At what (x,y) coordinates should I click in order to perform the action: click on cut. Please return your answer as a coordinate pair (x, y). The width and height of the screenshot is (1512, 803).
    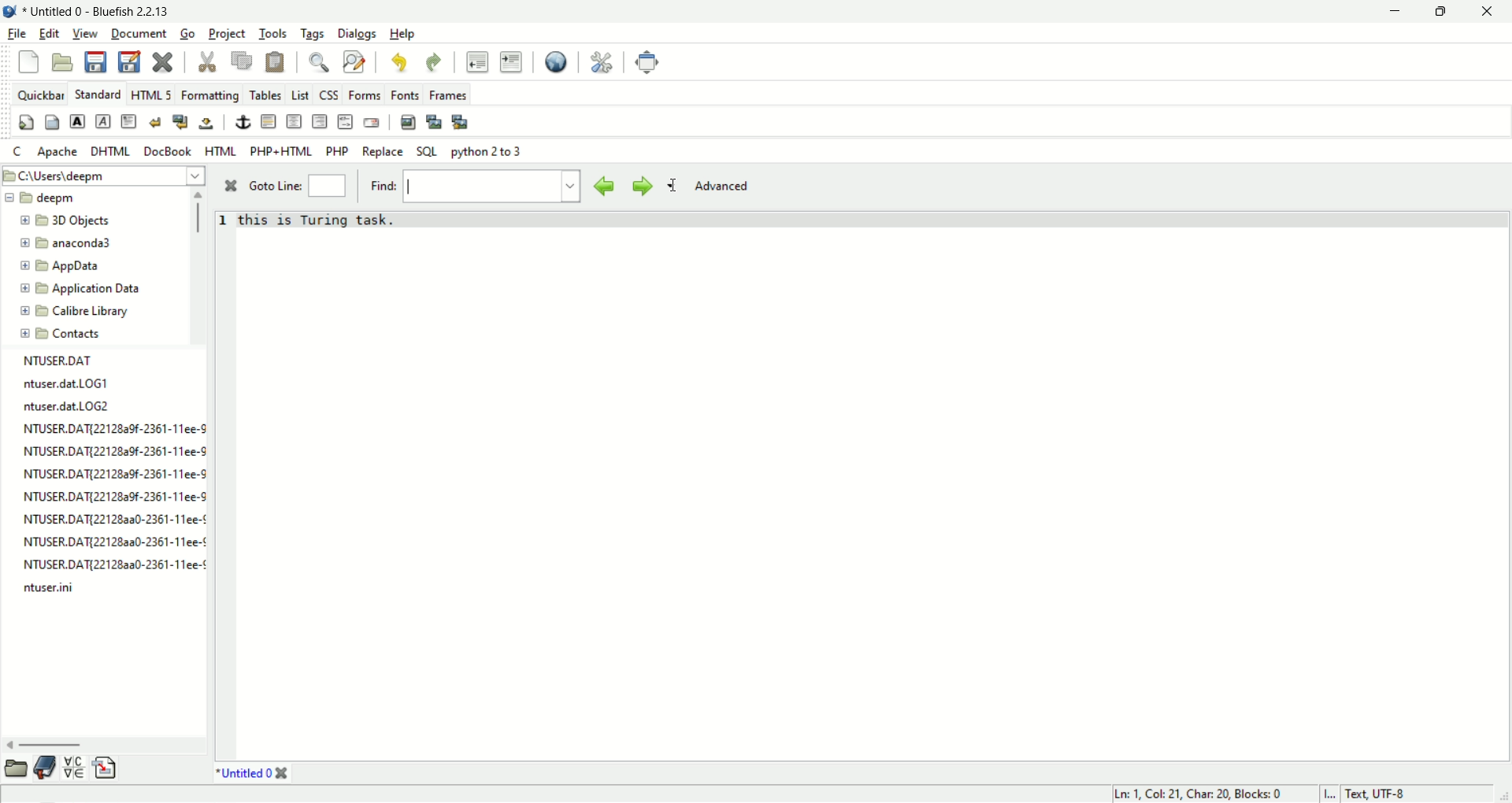
    Looking at the image, I should click on (209, 63).